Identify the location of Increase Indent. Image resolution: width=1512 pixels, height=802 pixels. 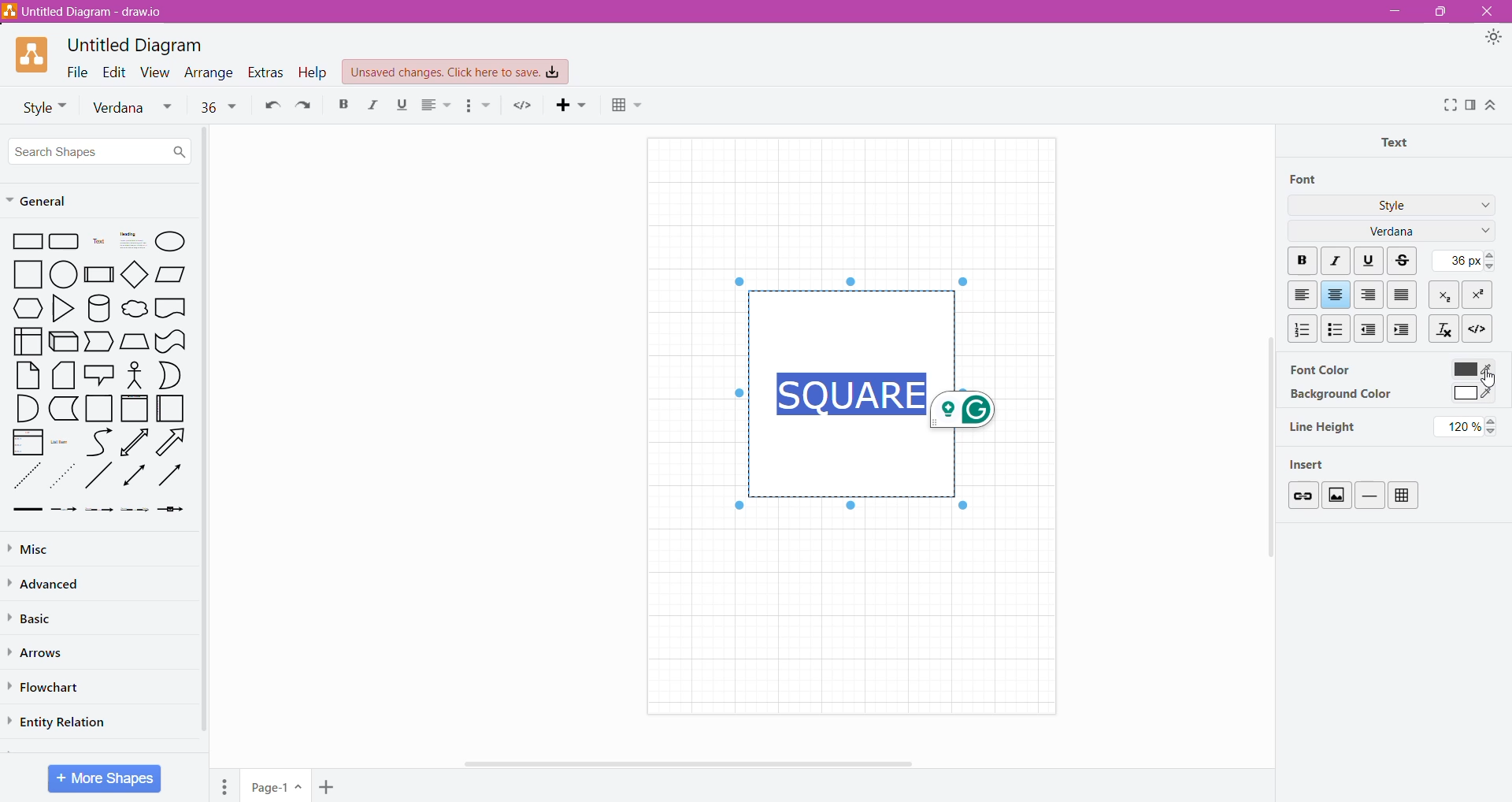
(1404, 329).